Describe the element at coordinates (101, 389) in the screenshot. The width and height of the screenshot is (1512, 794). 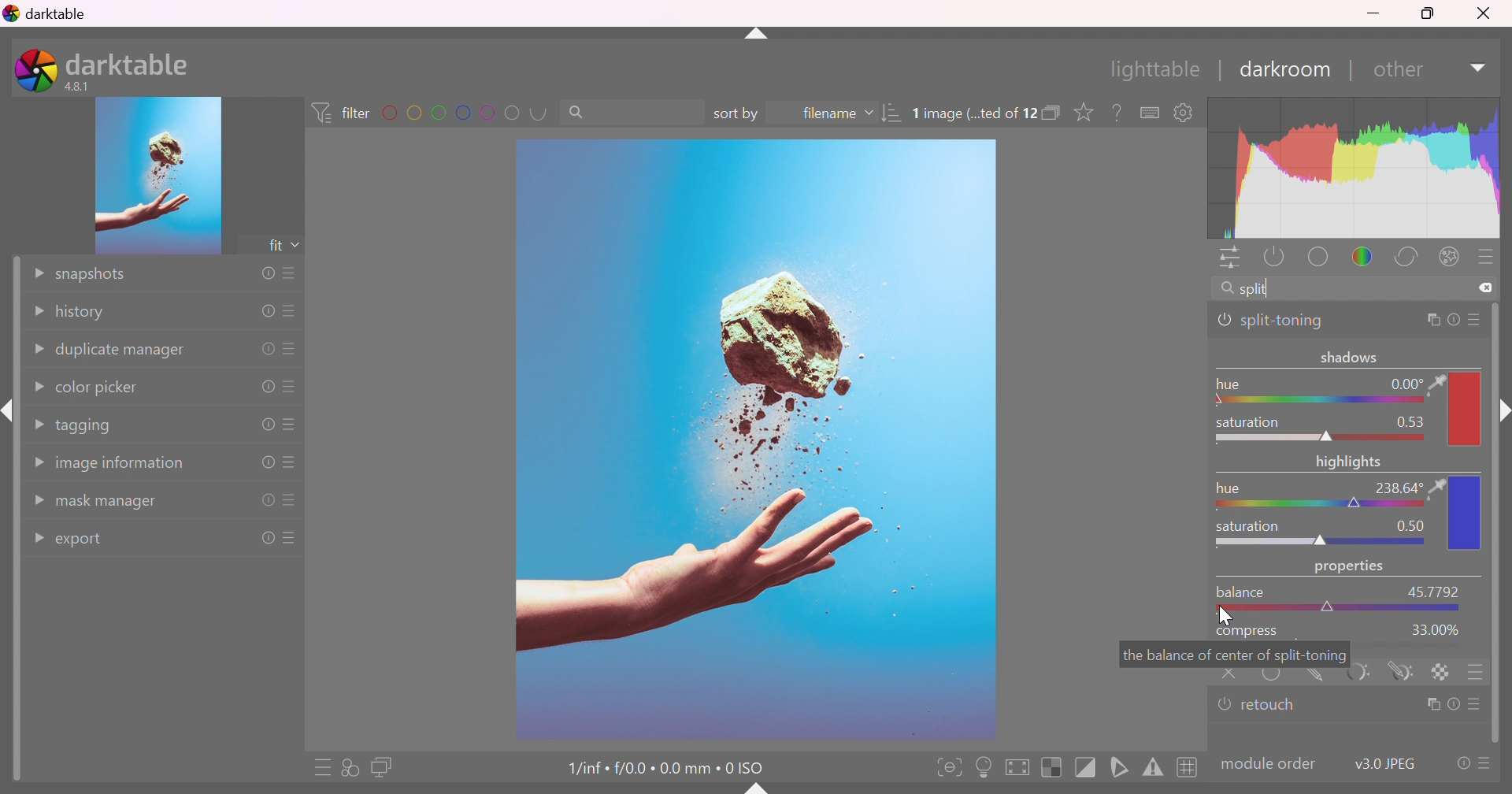
I see `color picker` at that location.